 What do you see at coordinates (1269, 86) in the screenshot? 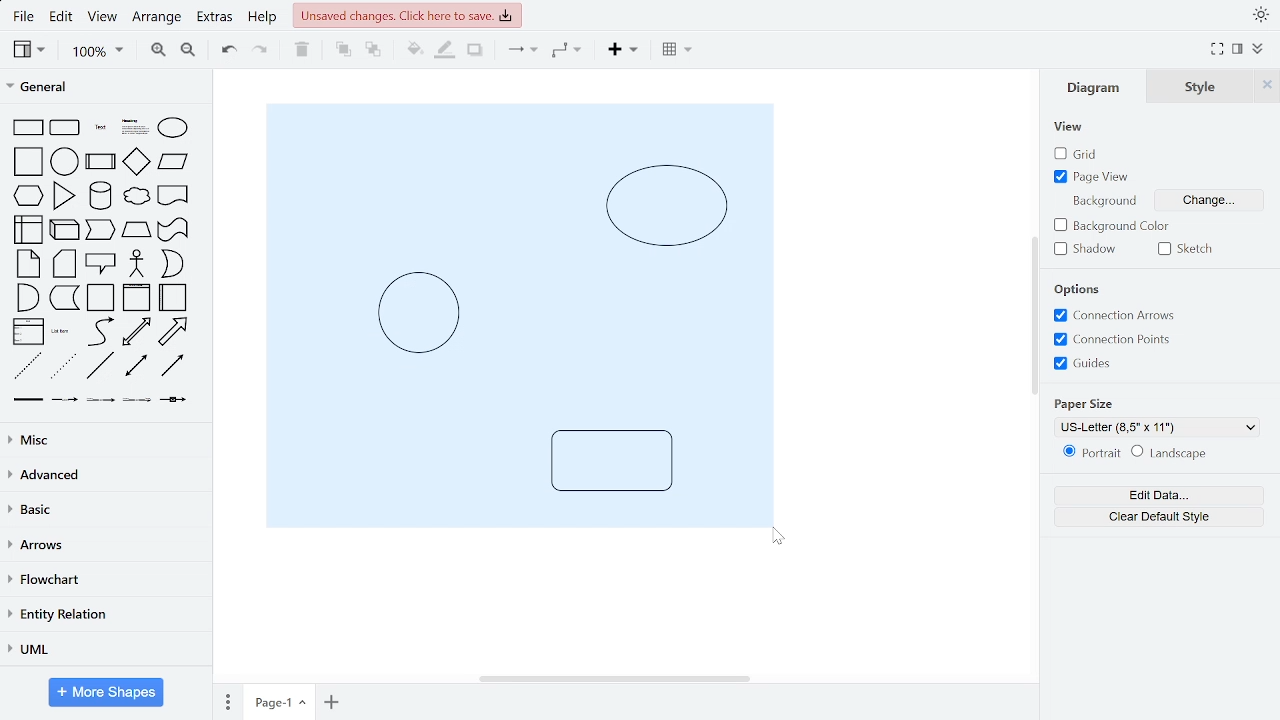
I see `close` at bounding box center [1269, 86].